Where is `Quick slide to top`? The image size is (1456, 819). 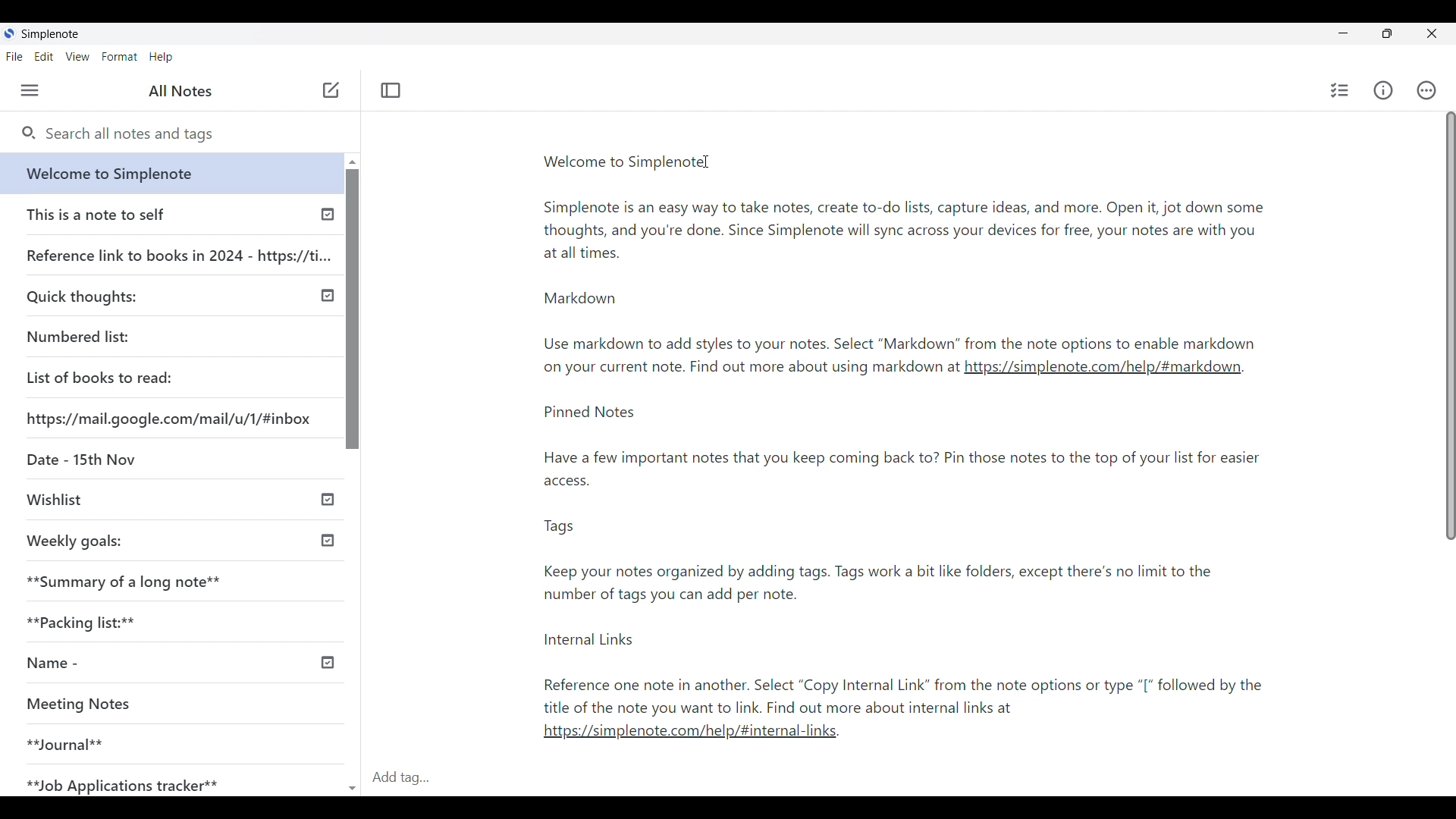 Quick slide to top is located at coordinates (353, 162).